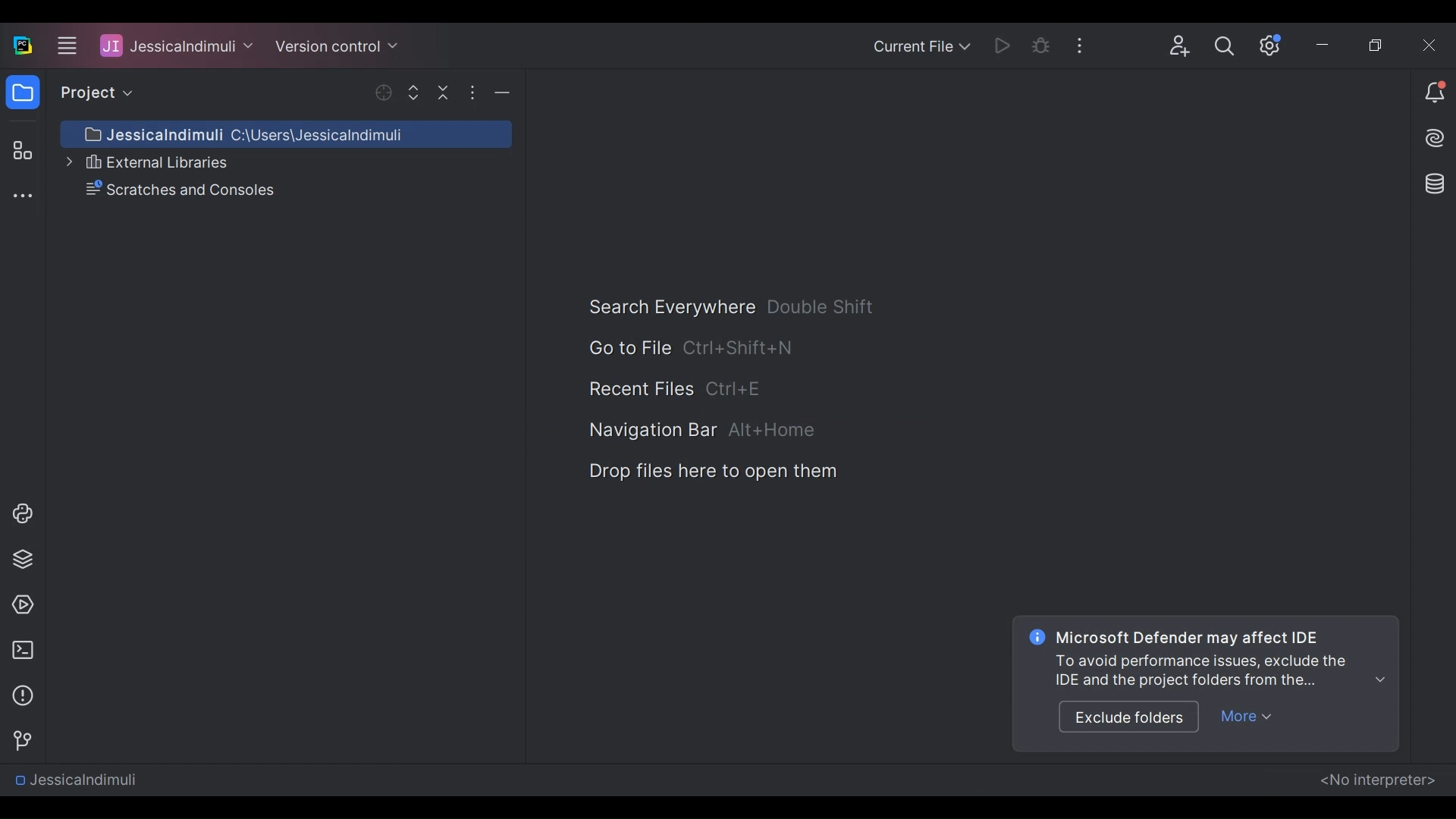  I want to click on Project Packages, so click(20, 560).